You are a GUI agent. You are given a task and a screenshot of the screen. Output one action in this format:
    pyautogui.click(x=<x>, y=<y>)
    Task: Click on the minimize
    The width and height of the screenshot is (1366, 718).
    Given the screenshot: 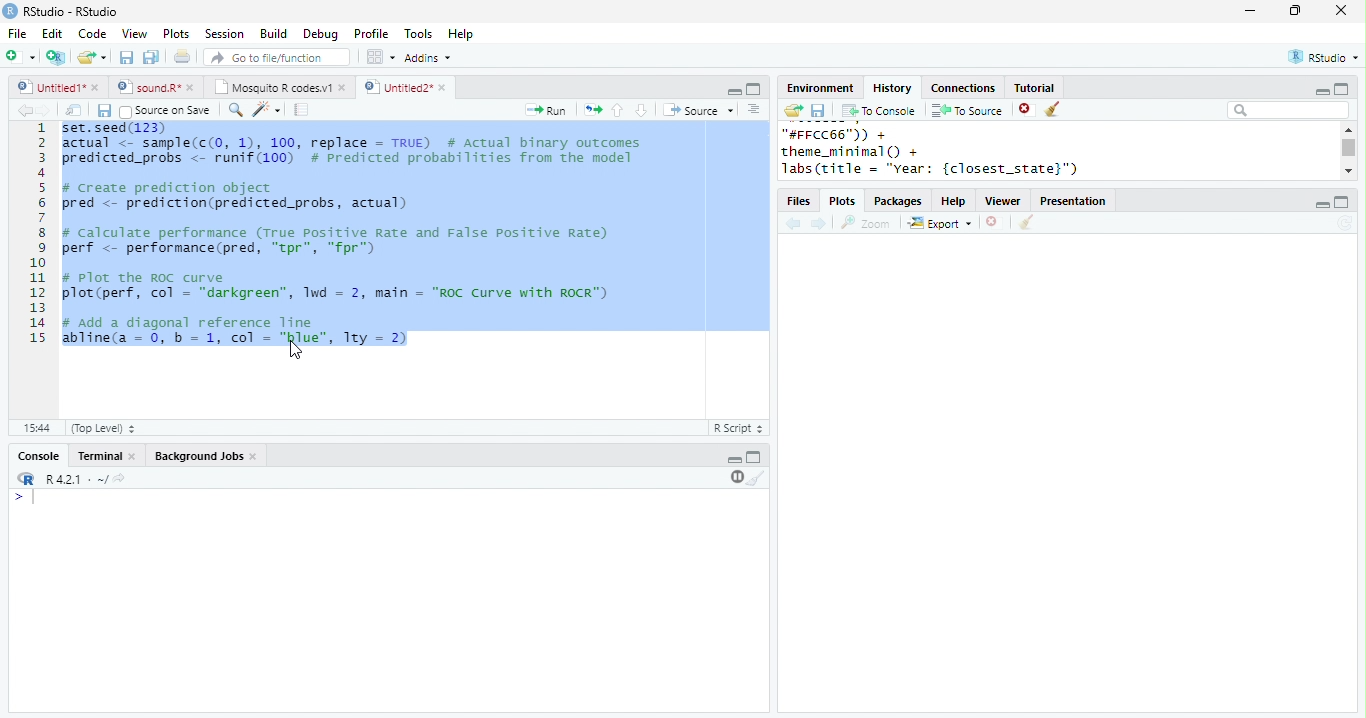 What is the action you would take?
    pyautogui.click(x=1321, y=205)
    